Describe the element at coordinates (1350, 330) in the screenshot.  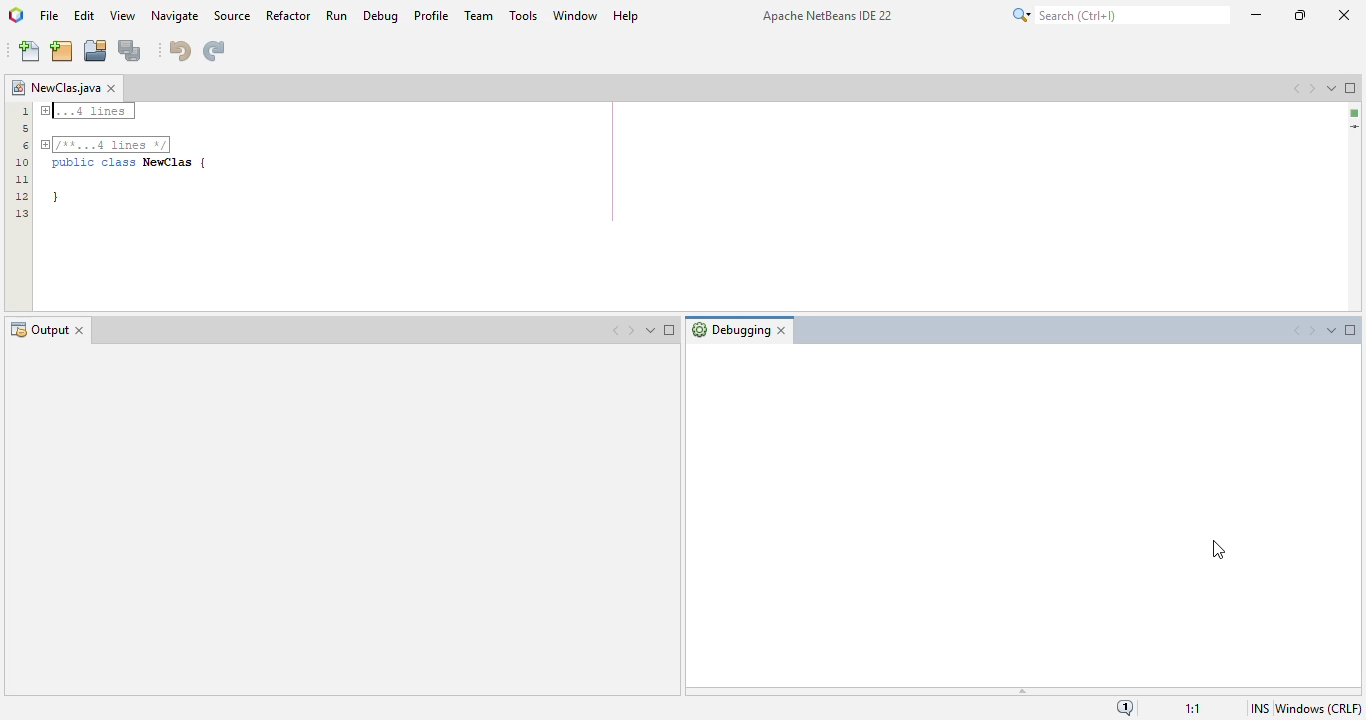
I see `Maximize` at that location.